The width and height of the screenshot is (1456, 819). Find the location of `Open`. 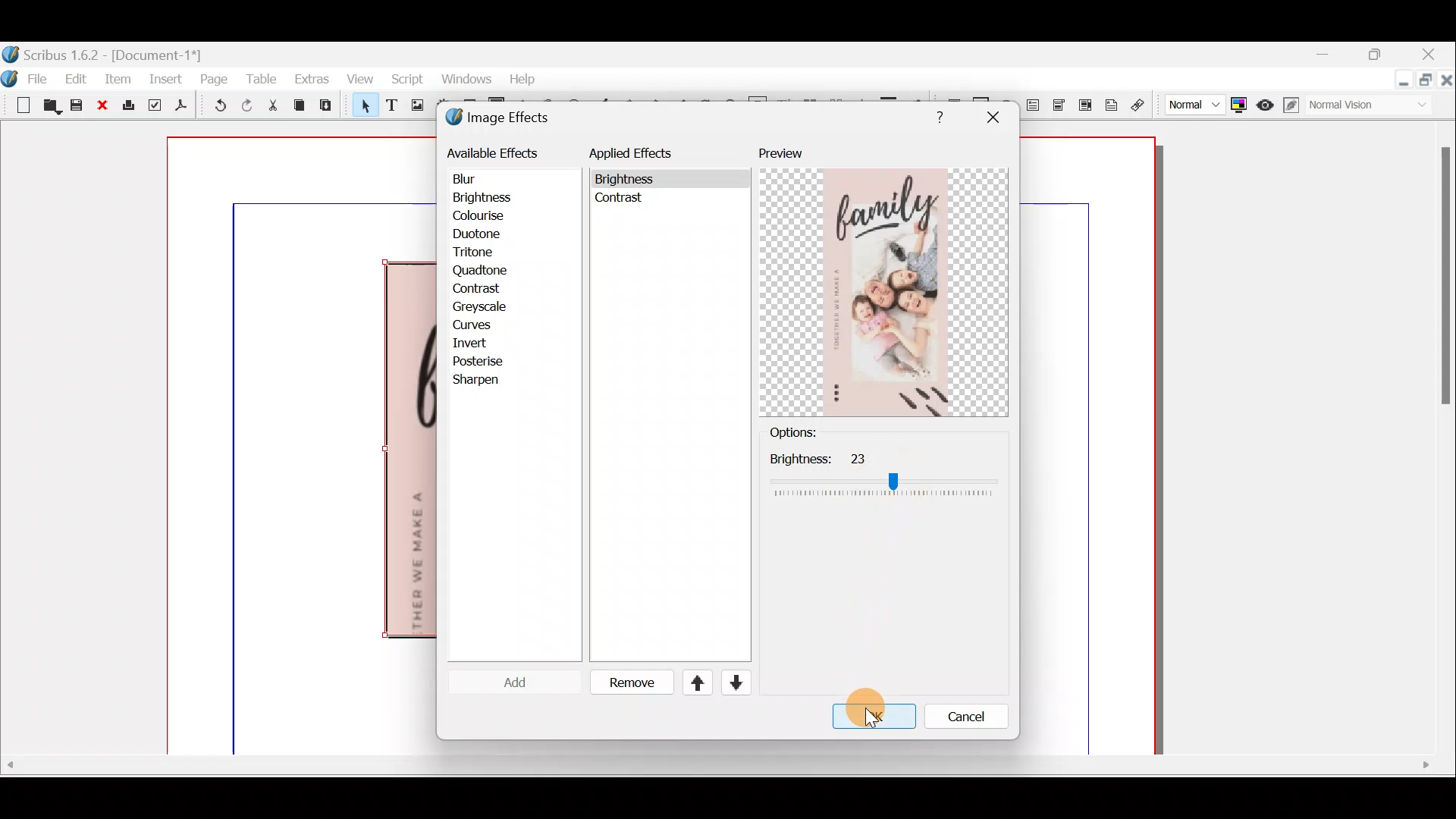

Open is located at coordinates (49, 108).